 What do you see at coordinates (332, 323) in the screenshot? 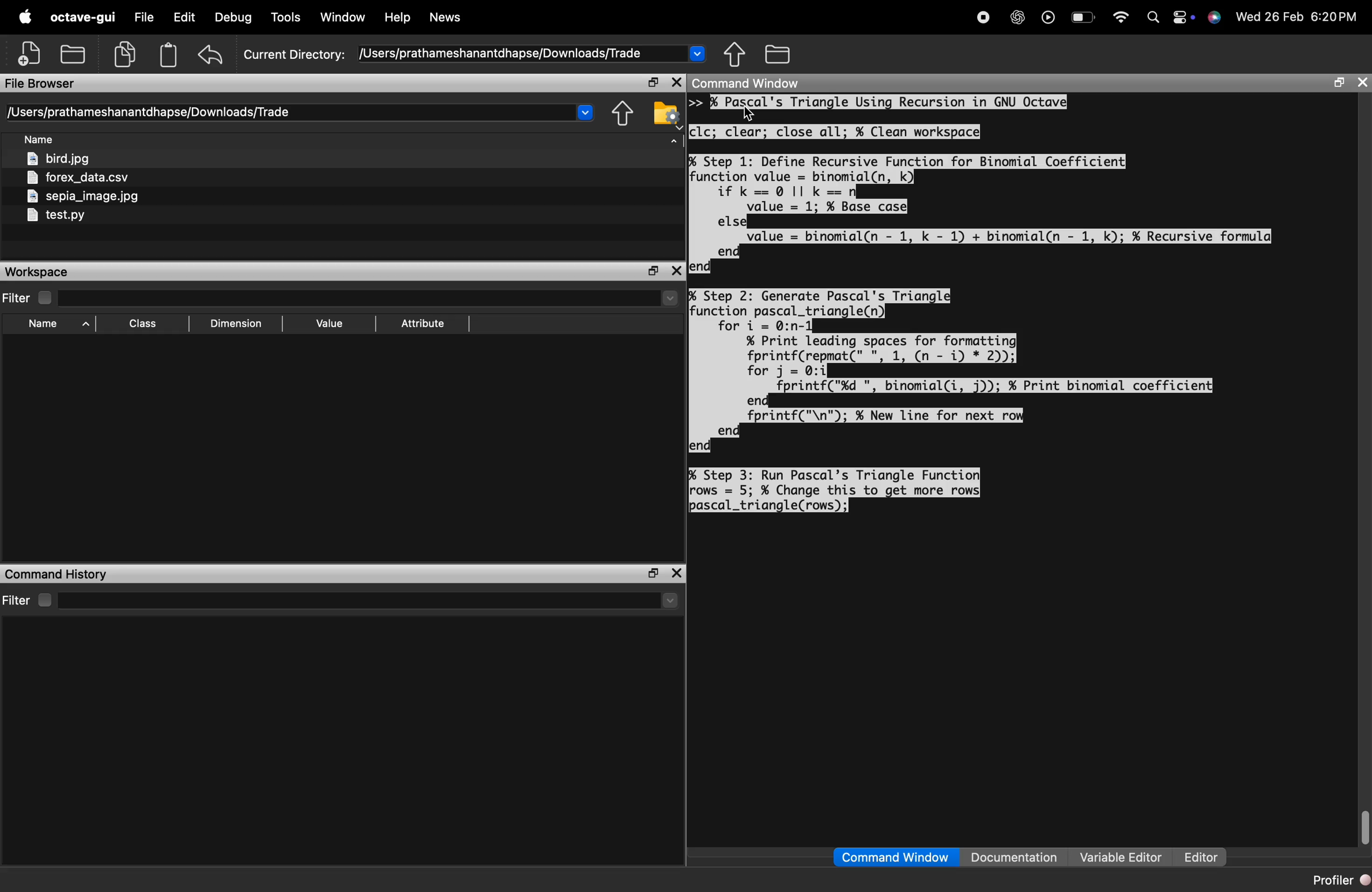
I see `Value` at bounding box center [332, 323].